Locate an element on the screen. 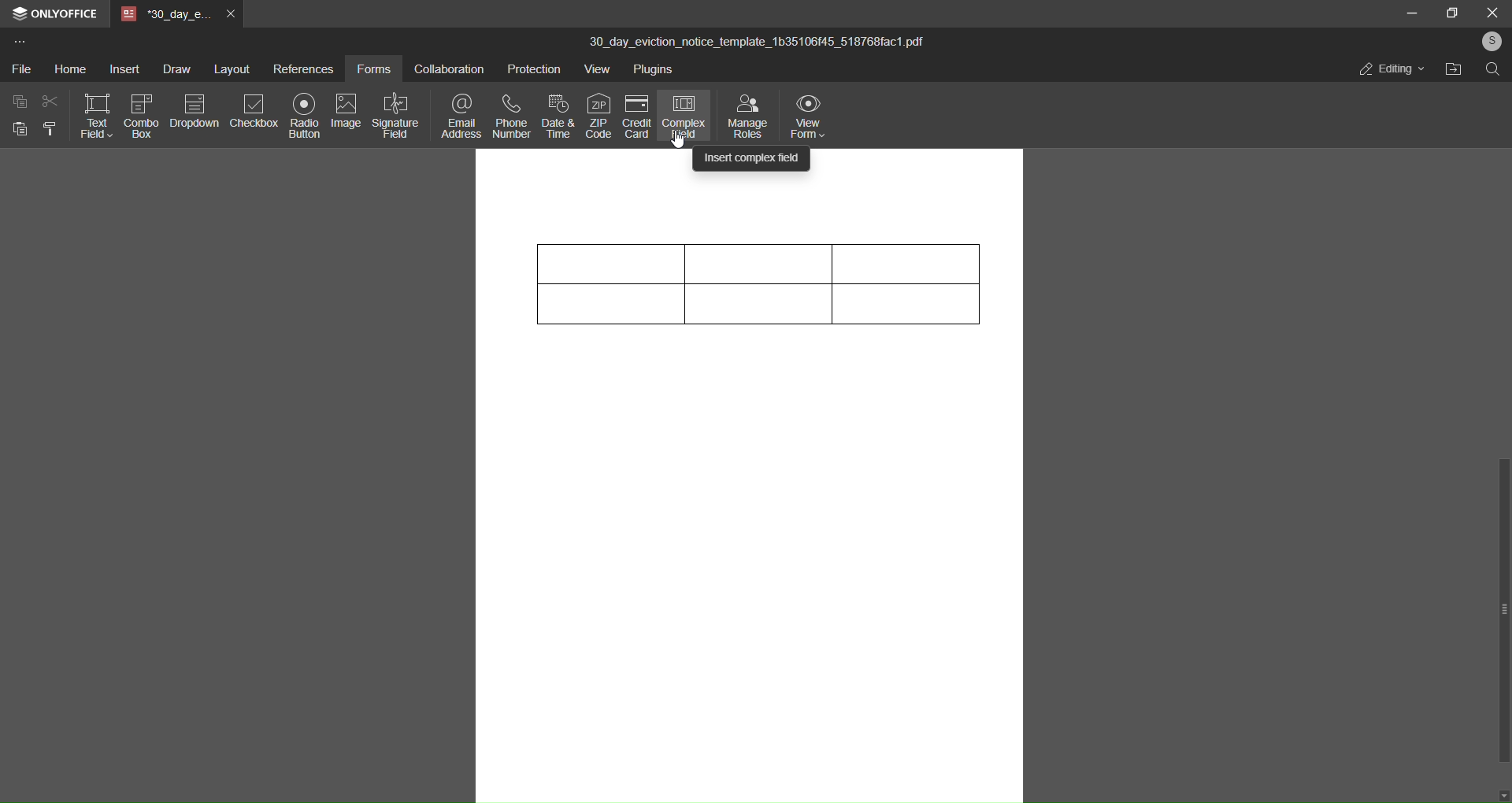 This screenshot has width=1512, height=803. plugins is located at coordinates (656, 70).